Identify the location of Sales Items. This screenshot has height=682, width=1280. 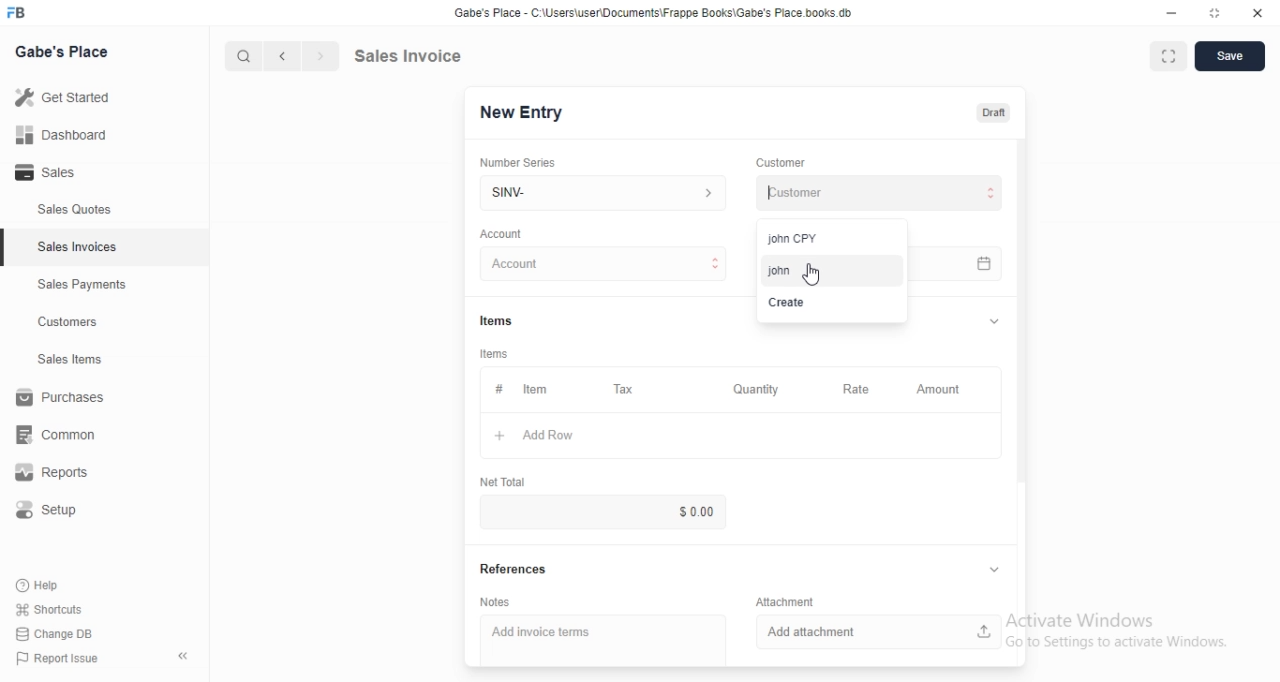
(61, 360).